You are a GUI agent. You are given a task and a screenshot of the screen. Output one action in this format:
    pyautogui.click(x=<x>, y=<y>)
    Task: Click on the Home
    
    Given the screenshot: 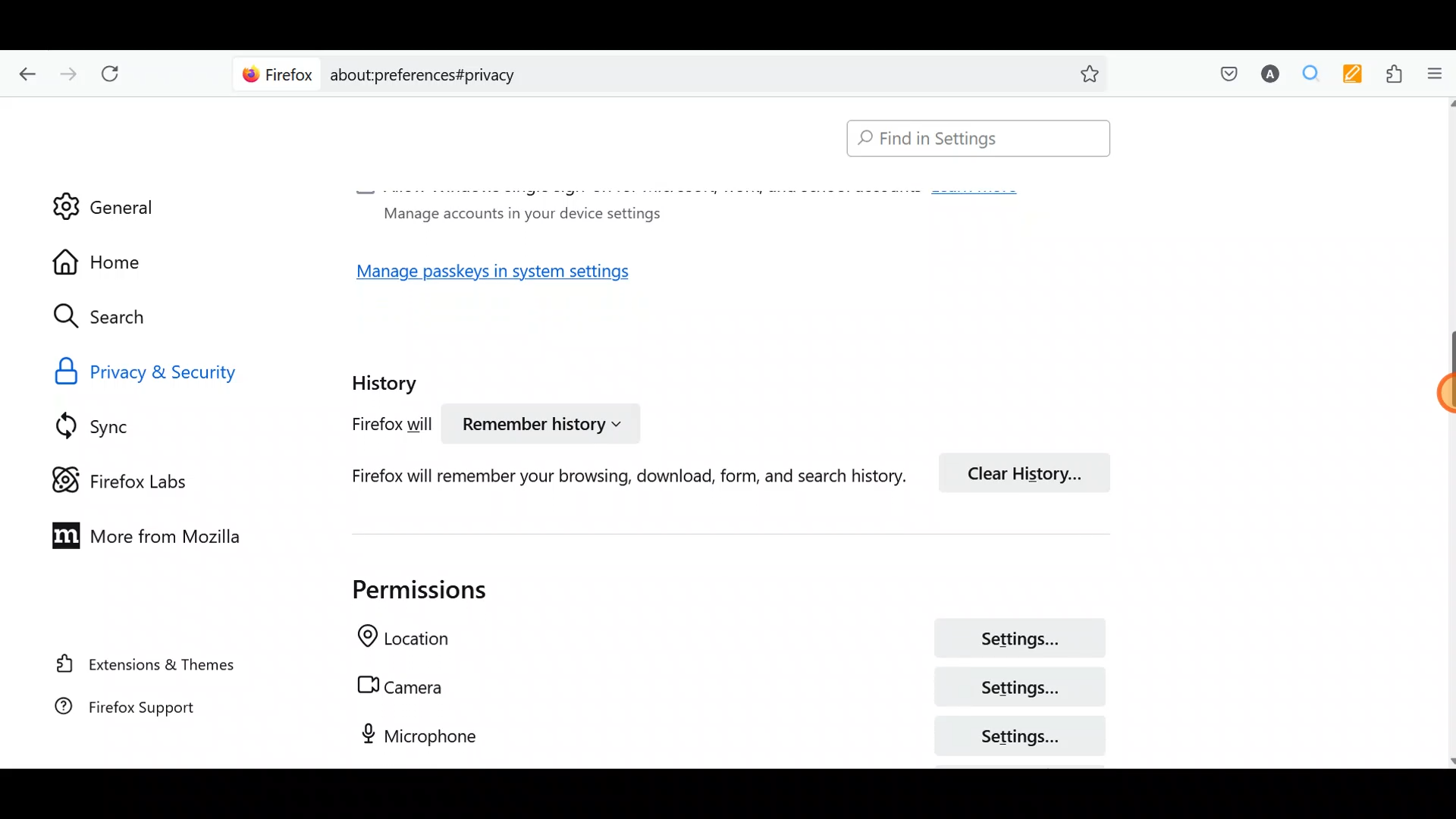 What is the action you would take?
    pyautogui.click(x=112, y=262)
    